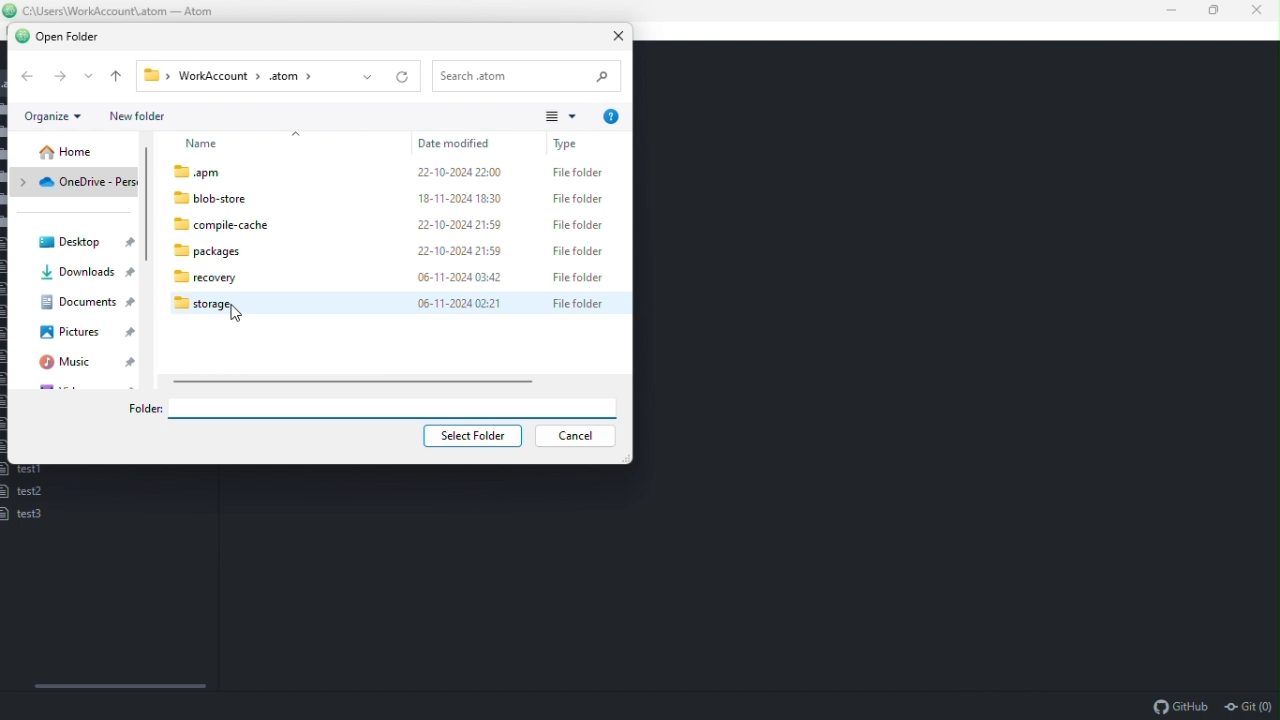 Image resolution: width=1280 pixels, height=720 pixels. What do you see at coordinates (621, 37) in the screenshot?
I see `Close` at bounding box center [621, 37].